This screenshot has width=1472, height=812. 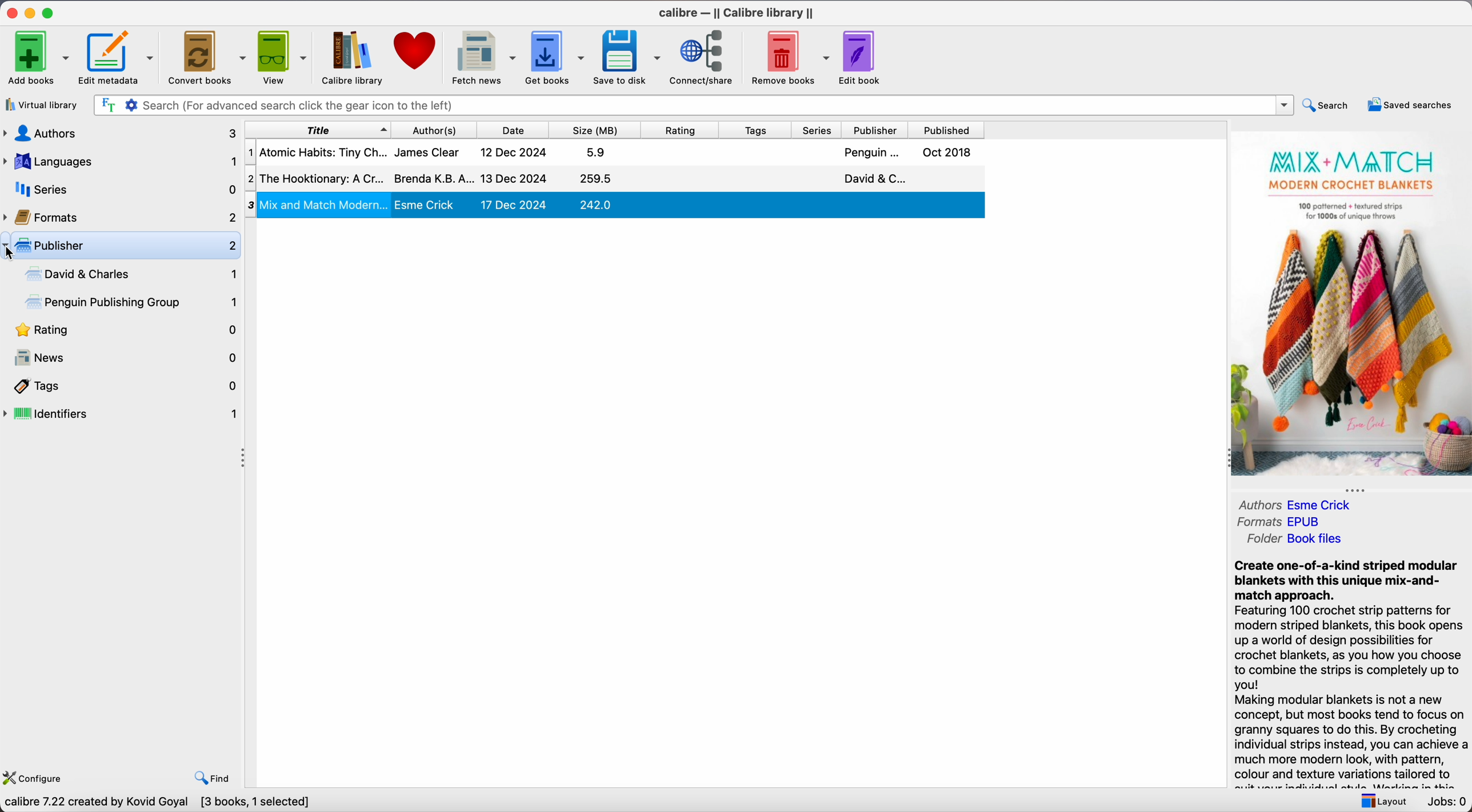 What do you see at coordinates (622, 203) in the screenshot?
I see `Mix and Match Modern...` at bounding box center [622, 203].